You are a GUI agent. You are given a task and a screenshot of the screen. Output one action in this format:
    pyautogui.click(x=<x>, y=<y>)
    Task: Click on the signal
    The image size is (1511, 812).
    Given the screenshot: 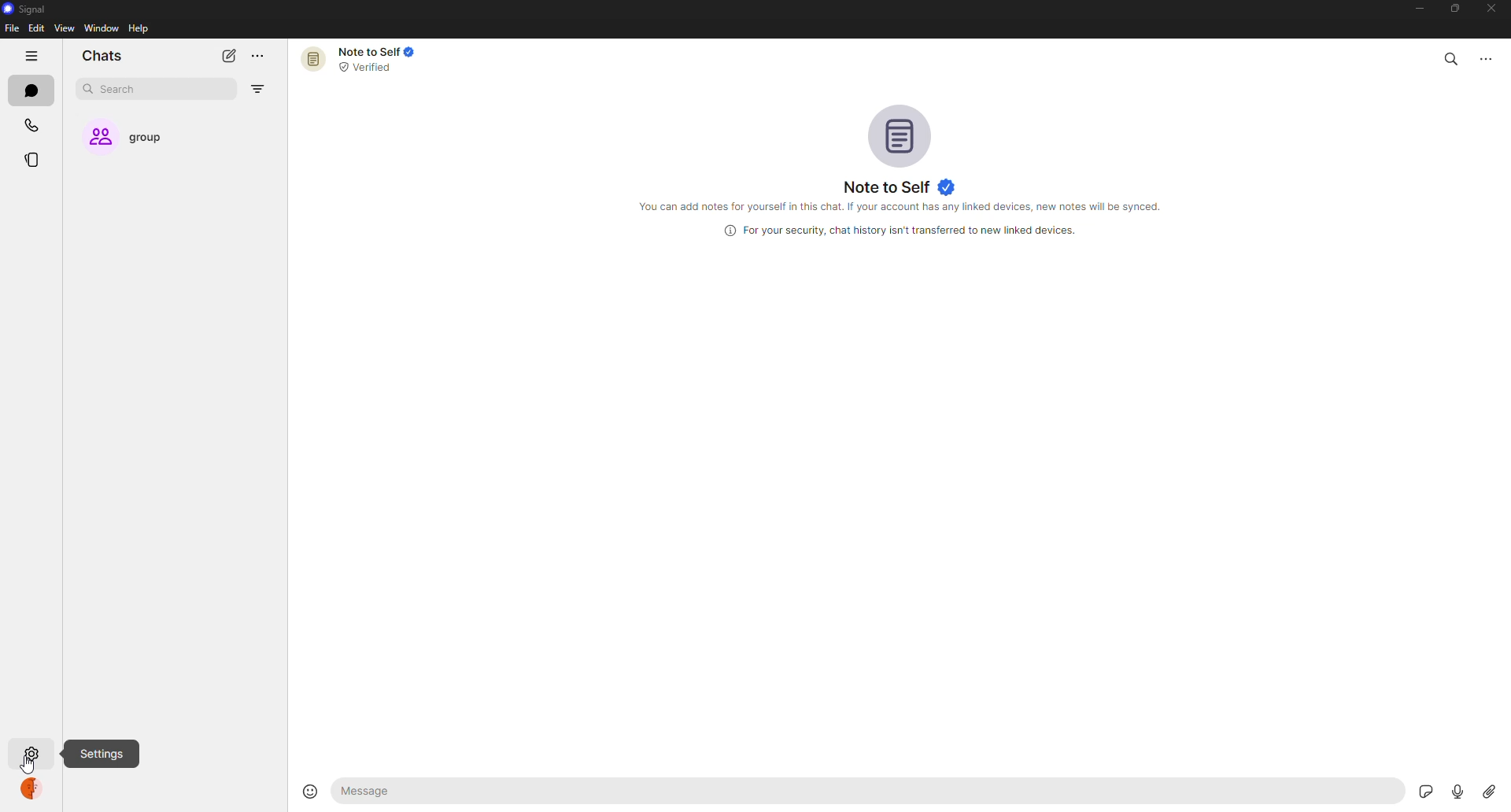 What is the action you would take?
    pyautogui.click(x=24, y=10)
    